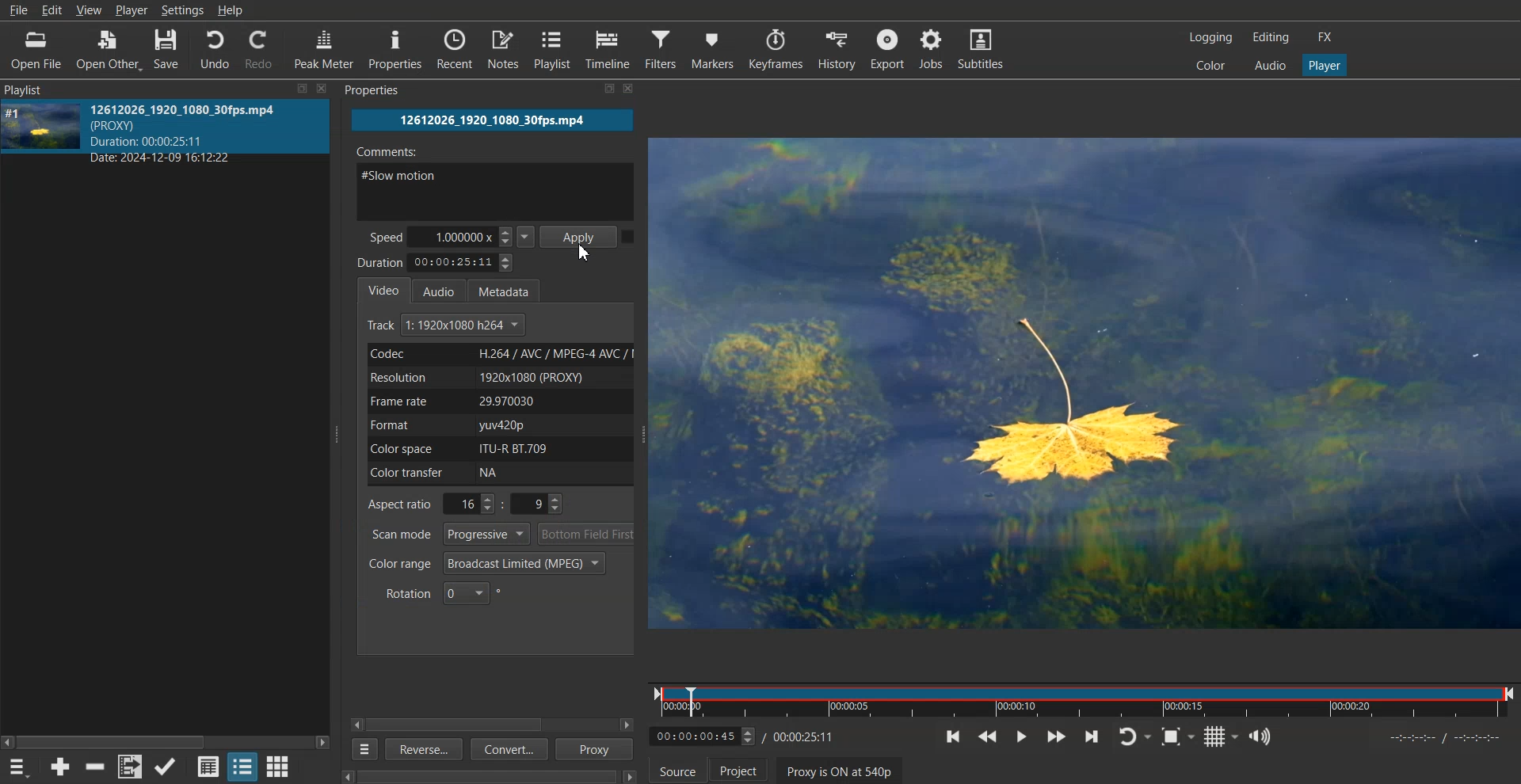 Image resolution: width=1521 pixels, height=784 pixels. What do you see at coordinates (1260, 736) in the screenshot?
I see `Show the volume control` at bounding box center [1260, 736].